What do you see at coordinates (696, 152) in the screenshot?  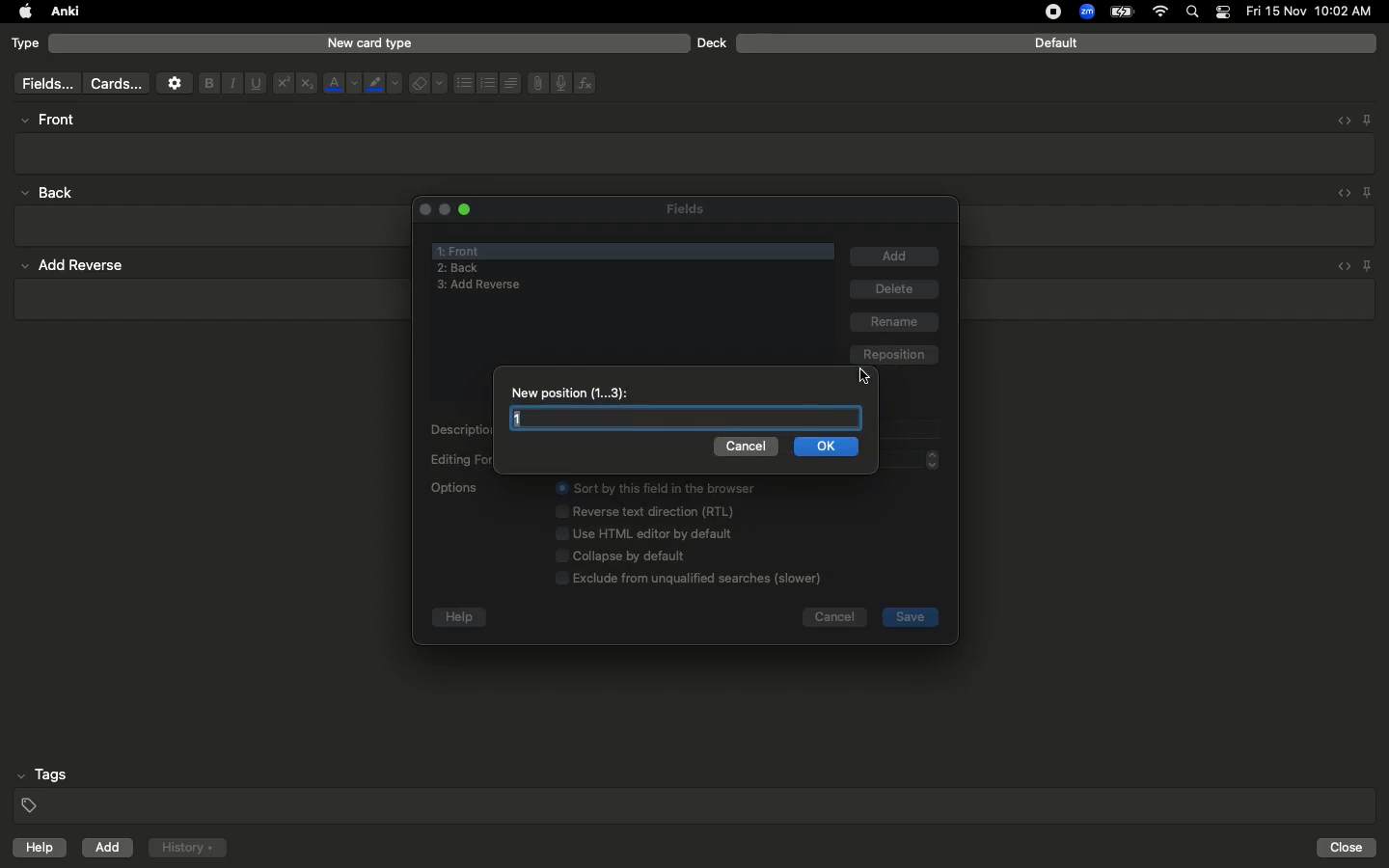 I see `Textbox` at bounding box center [696, 152].